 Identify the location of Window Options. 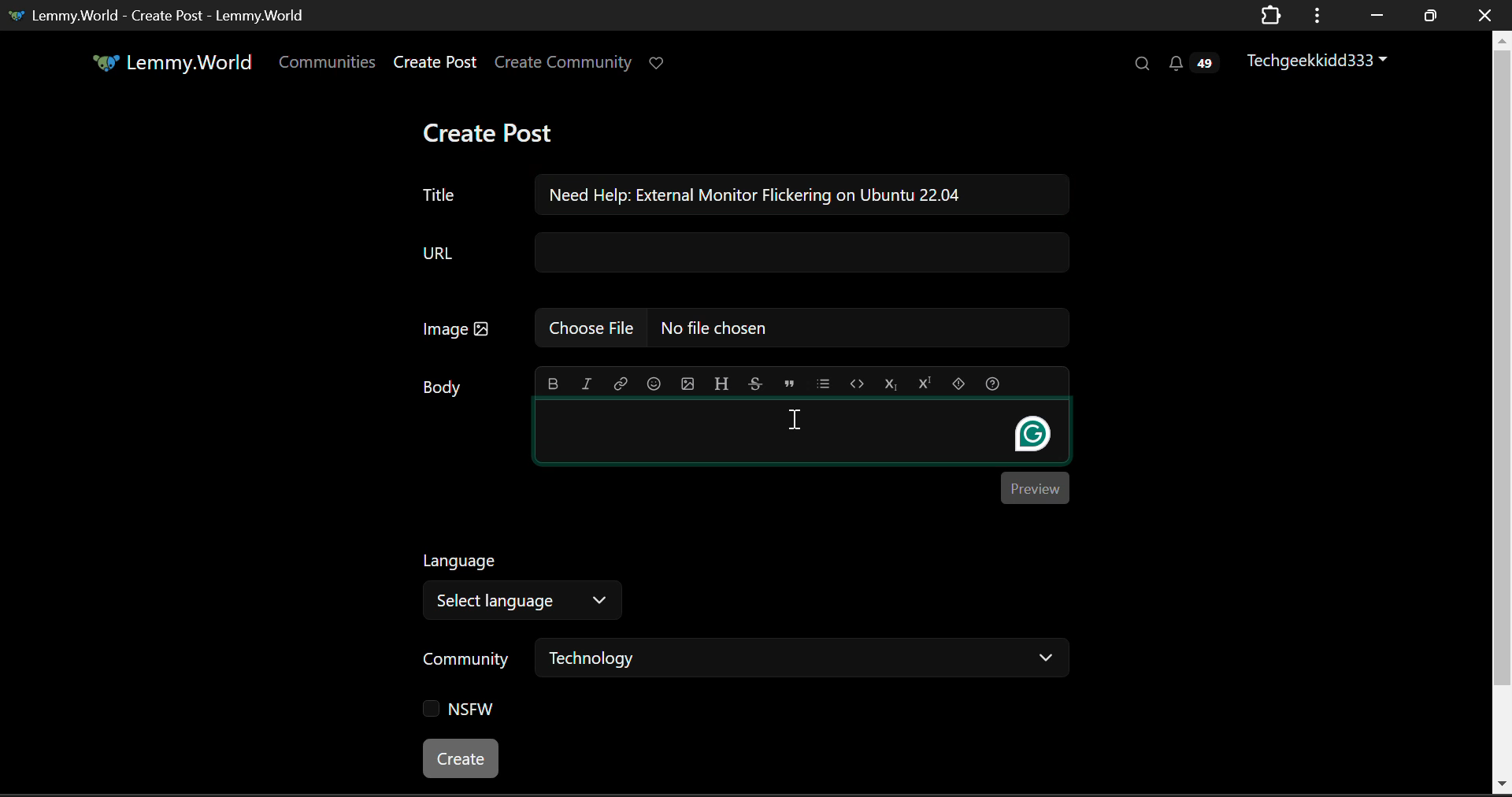
(1319, 16).